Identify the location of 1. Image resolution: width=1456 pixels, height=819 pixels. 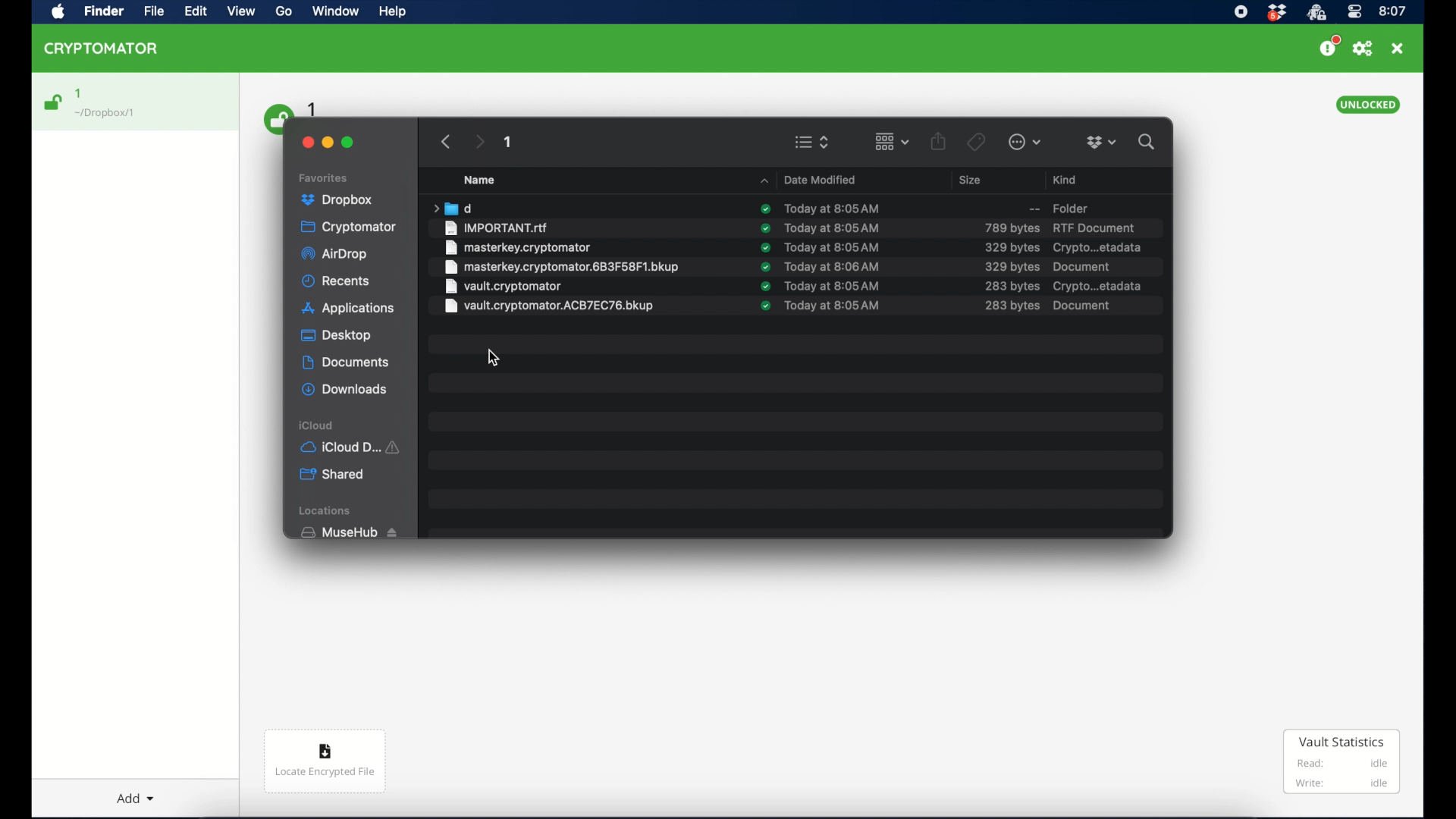
(509, 144).